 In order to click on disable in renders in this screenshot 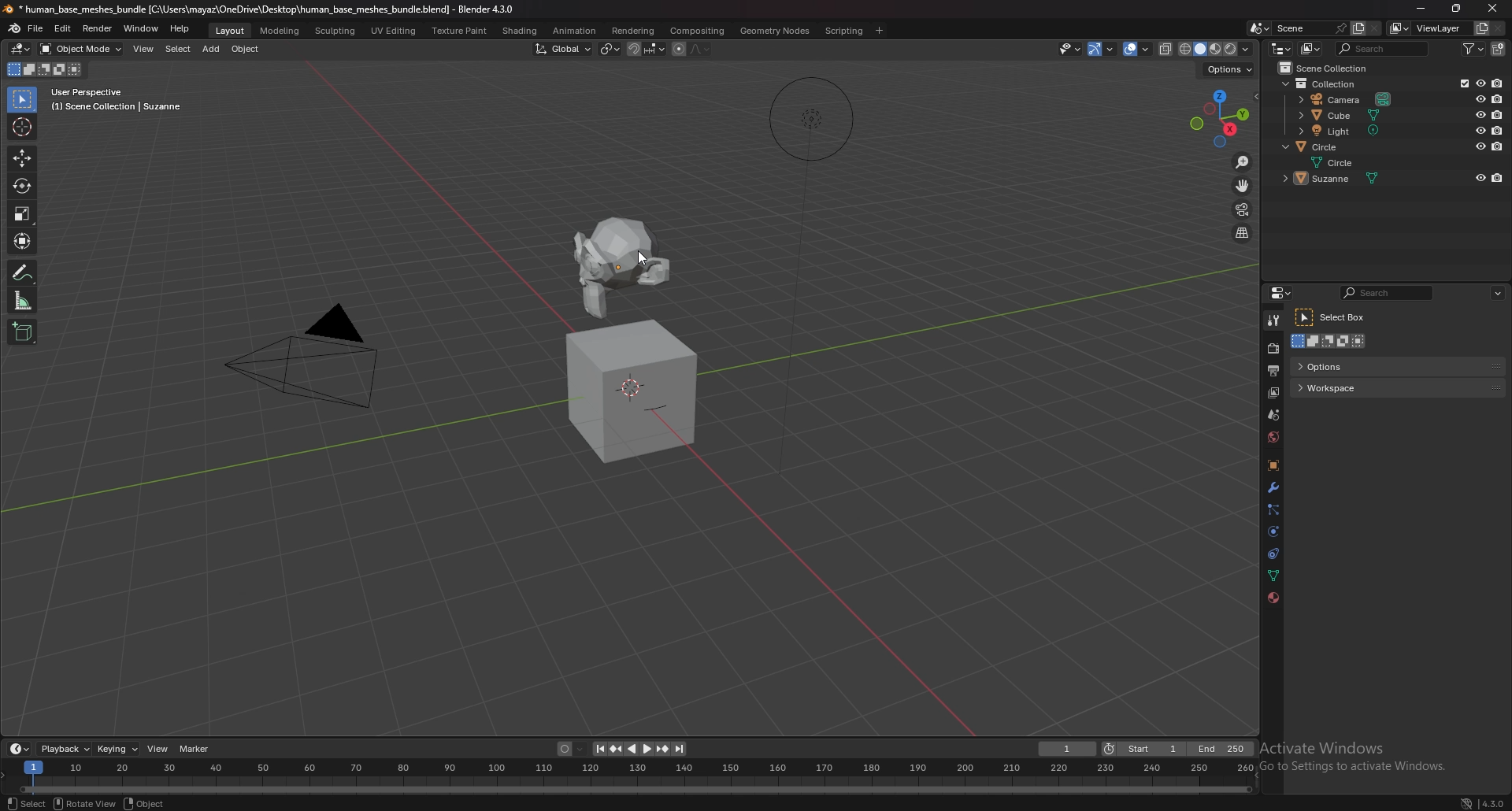, I will do `click(1496, 113)`.